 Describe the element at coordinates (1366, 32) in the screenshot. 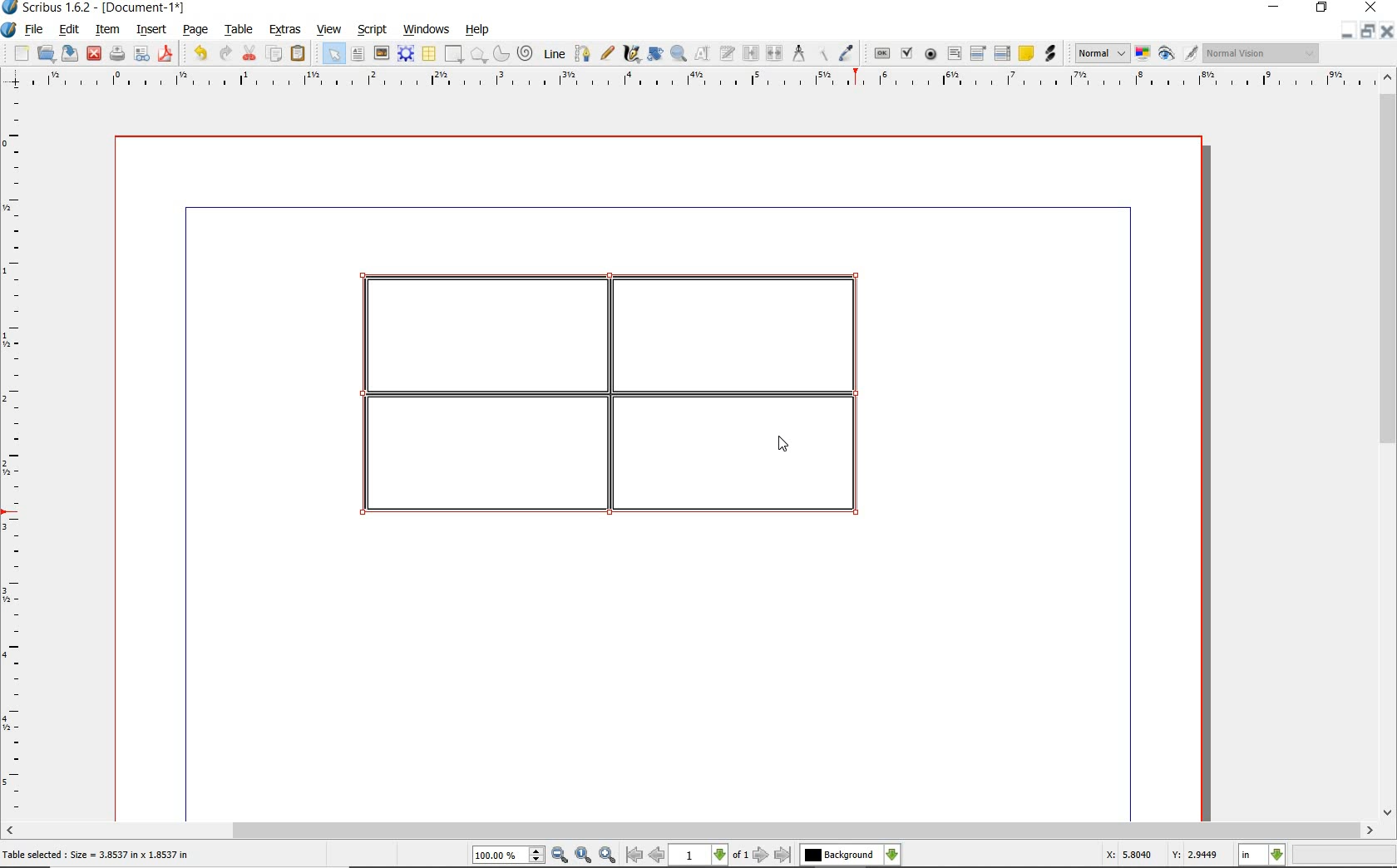

I see `restore` at that location.